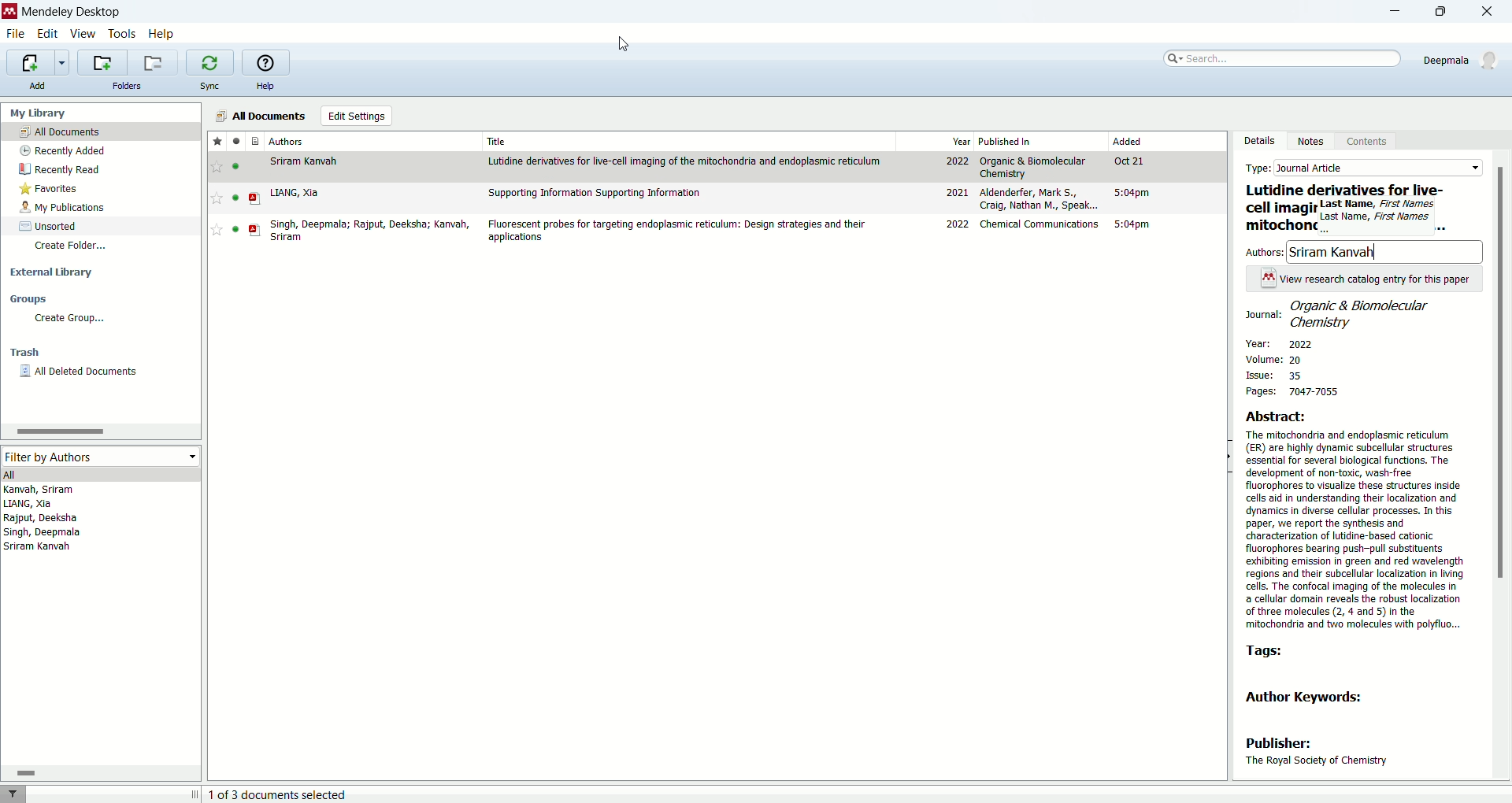 This screenshot has height=803, width=1512. Describe the element at coordinates (37, 548) in the screenshot. I see `Sriram Kanvah` at that location.